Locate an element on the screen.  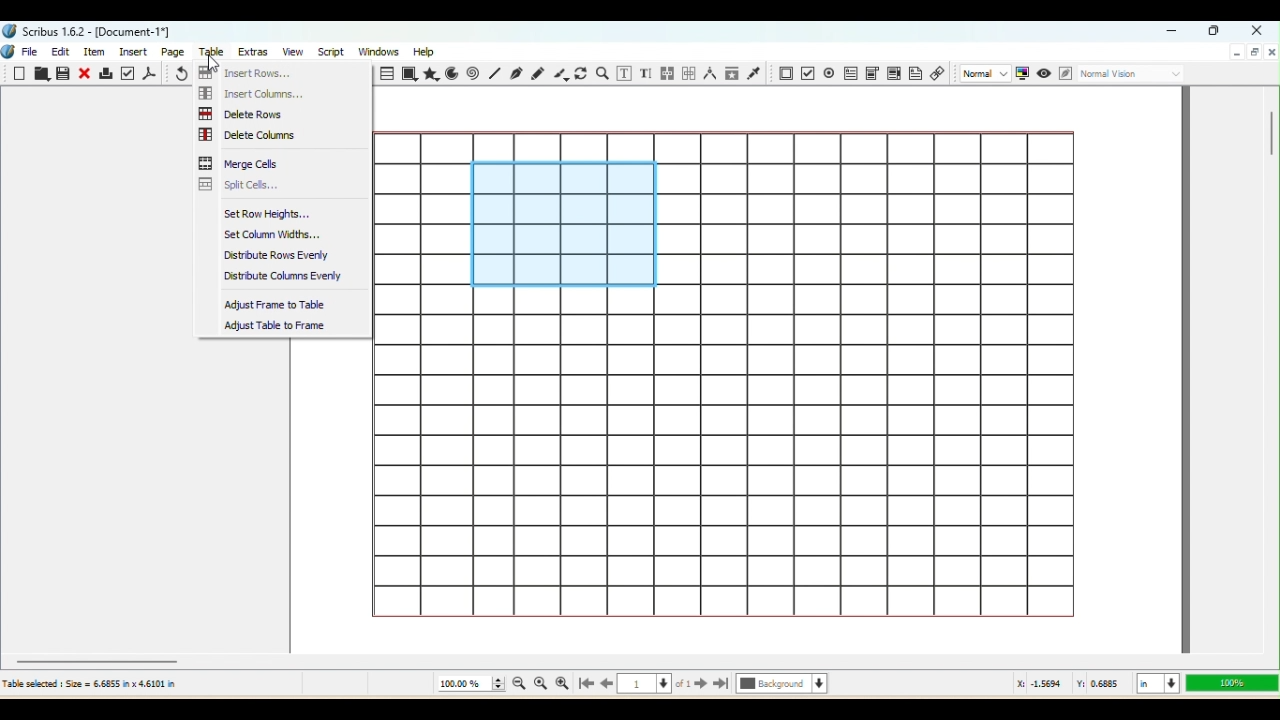
Go to the last page is located at coordinates (722, 685).